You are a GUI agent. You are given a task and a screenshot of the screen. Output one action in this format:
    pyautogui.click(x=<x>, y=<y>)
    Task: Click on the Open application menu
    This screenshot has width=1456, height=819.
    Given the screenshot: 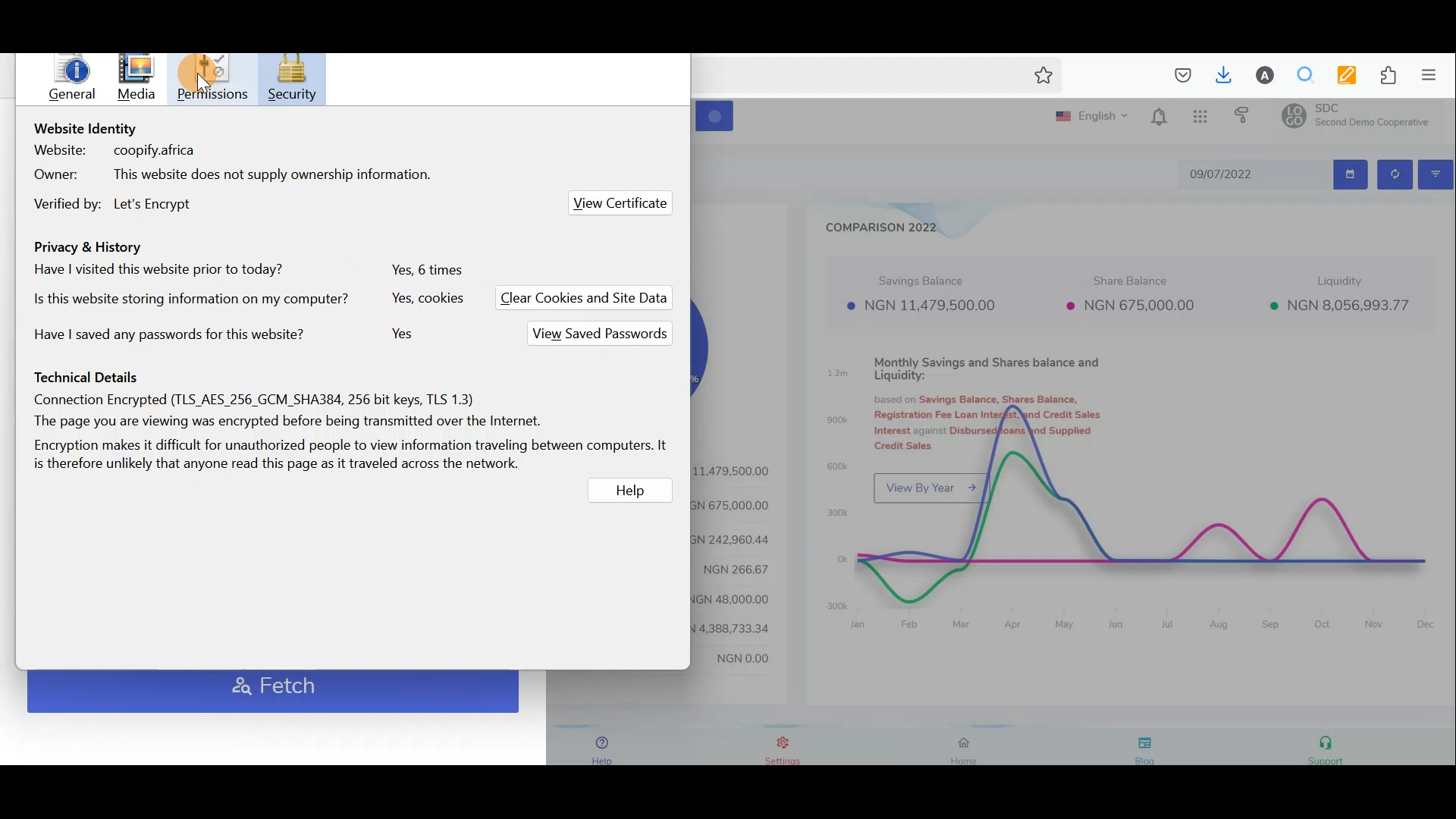 What is the action you would take?
    pyautogui.click(x=1433, y=76)
    